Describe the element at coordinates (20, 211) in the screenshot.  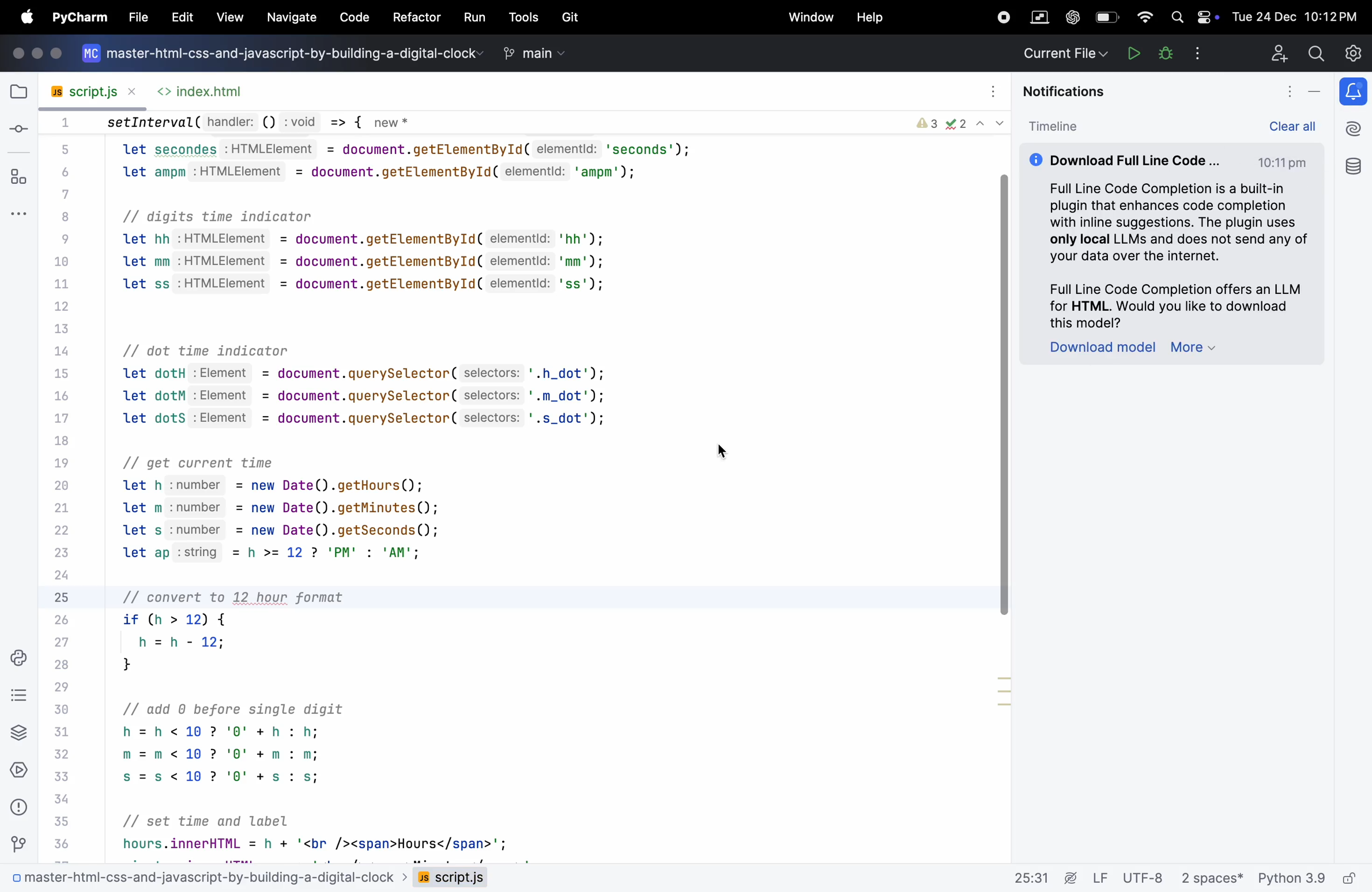
I see `more windows` at that location.